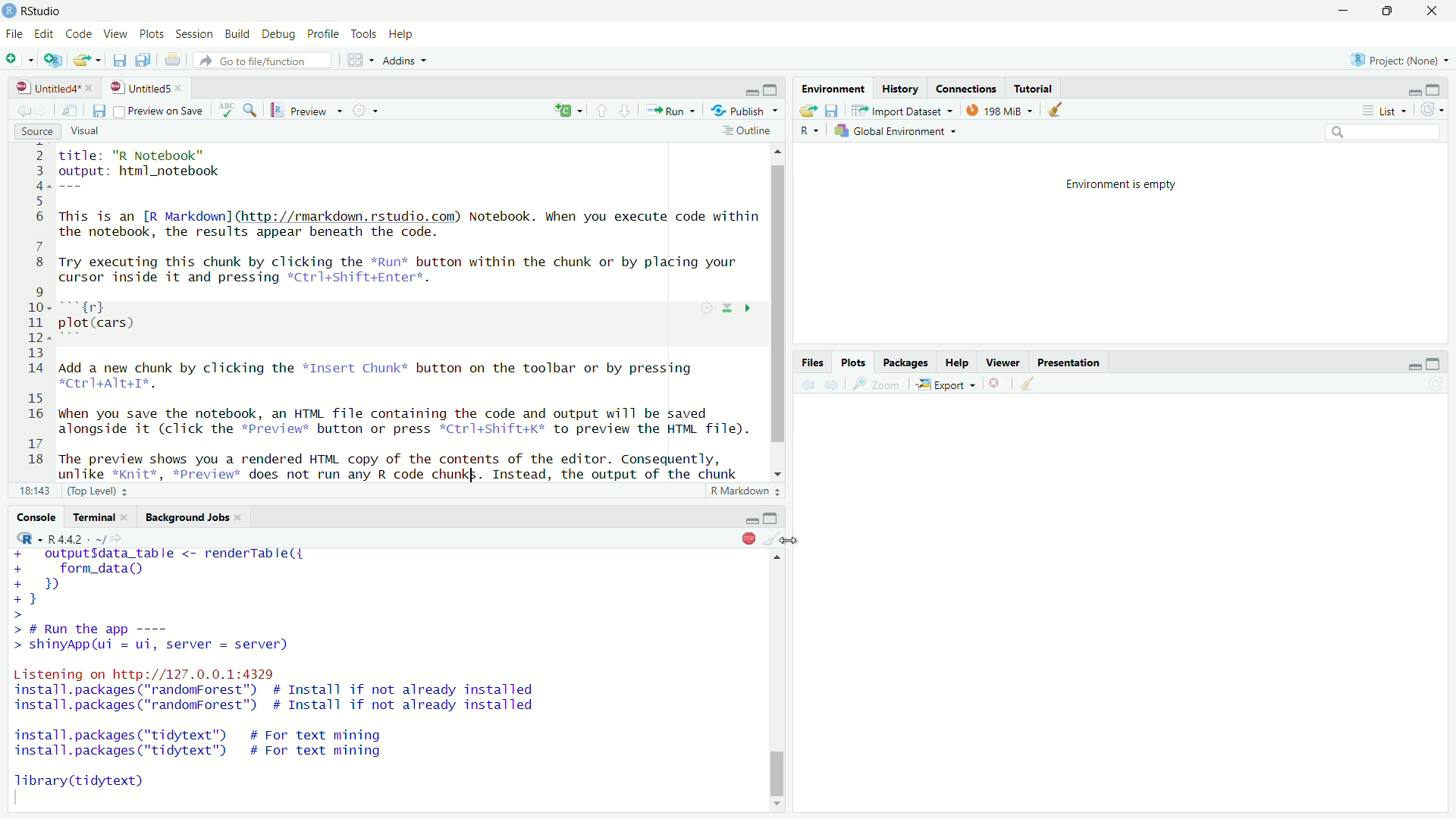 The width and height of the screenshot is (1456, 819). I want to click on Code, so click(77, 35).